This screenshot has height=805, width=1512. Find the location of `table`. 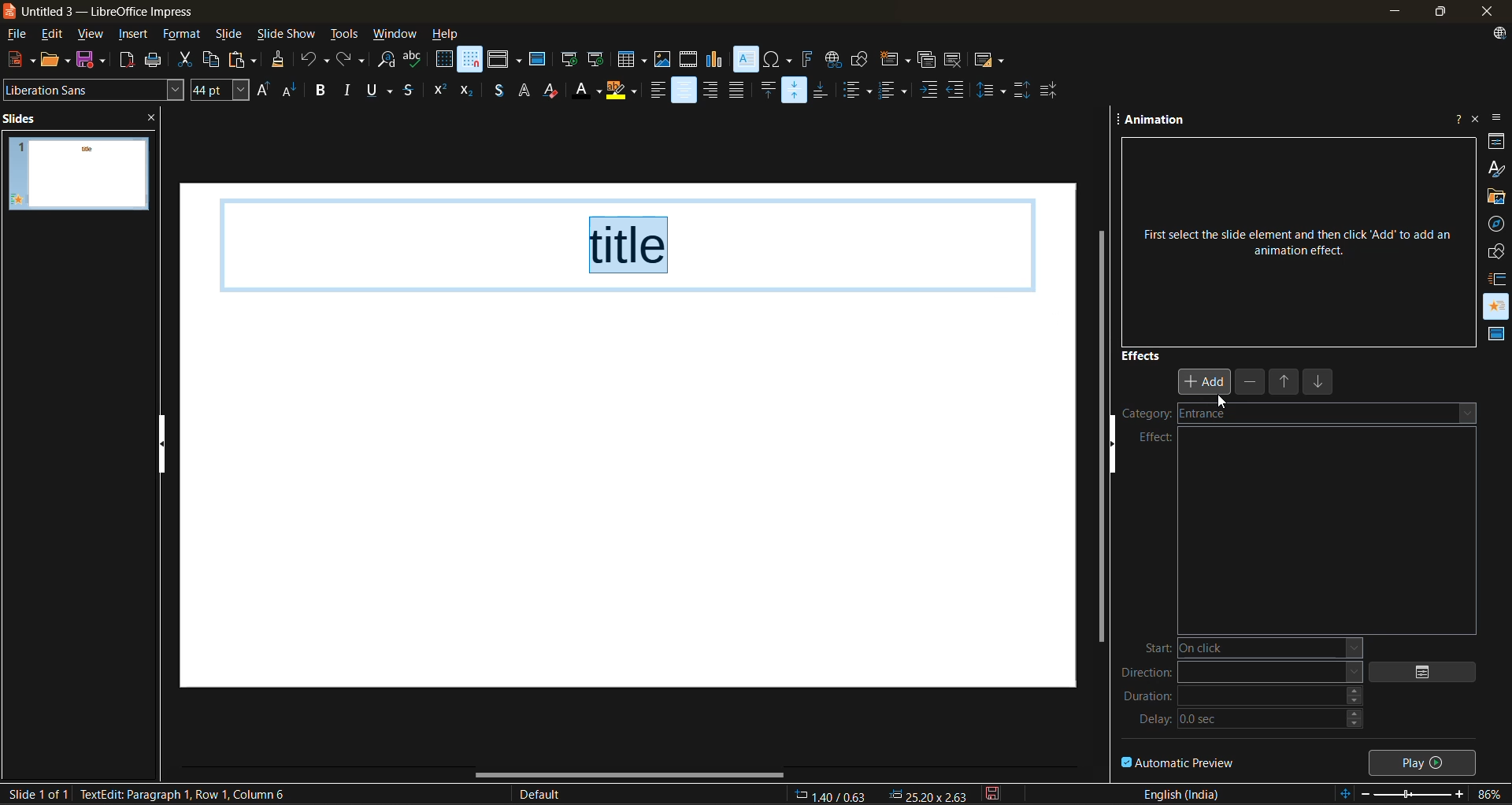

table is located at coordinates (632, 59).